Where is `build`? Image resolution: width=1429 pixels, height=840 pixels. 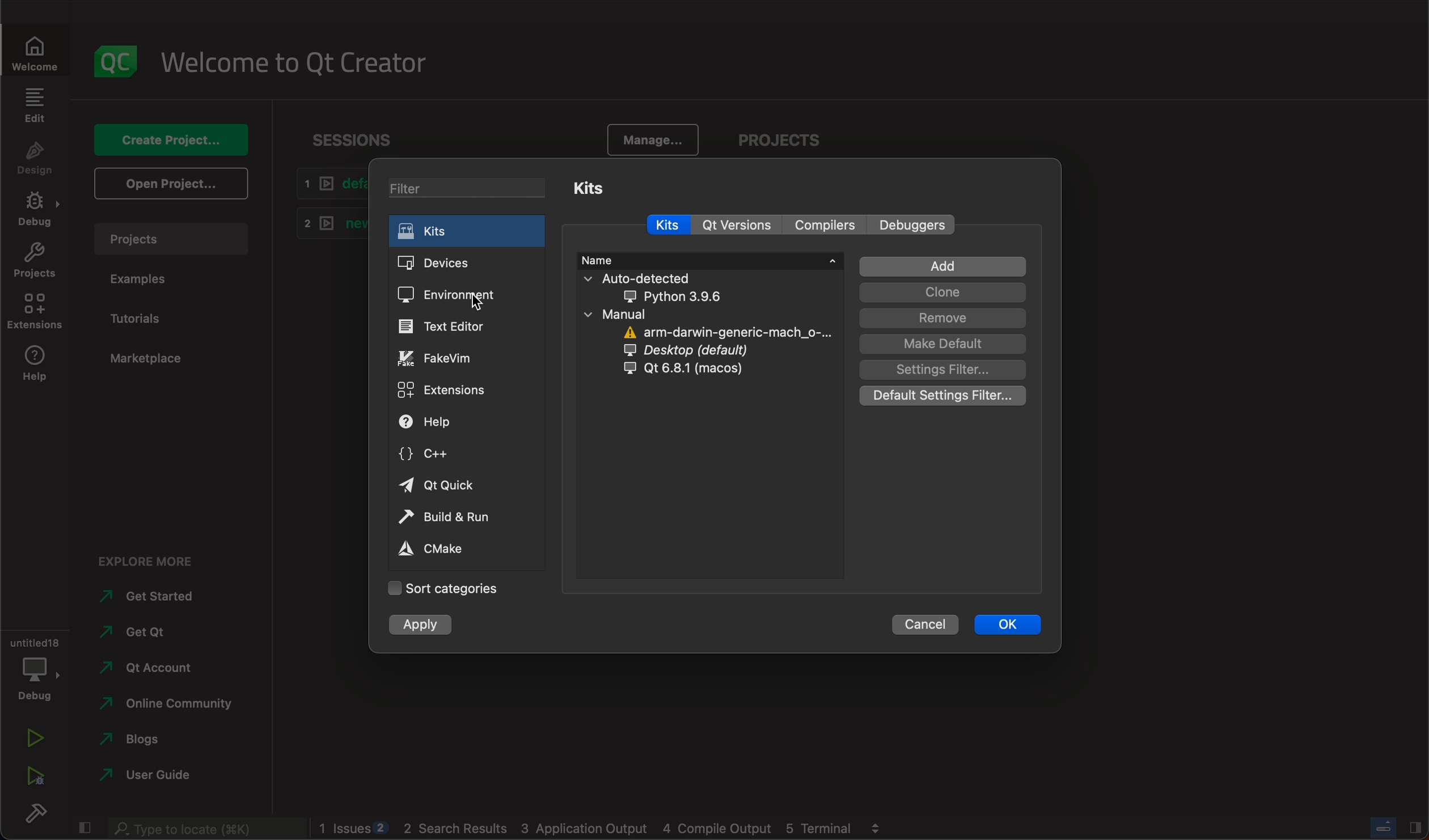
build is located at coordinates (32, 813).